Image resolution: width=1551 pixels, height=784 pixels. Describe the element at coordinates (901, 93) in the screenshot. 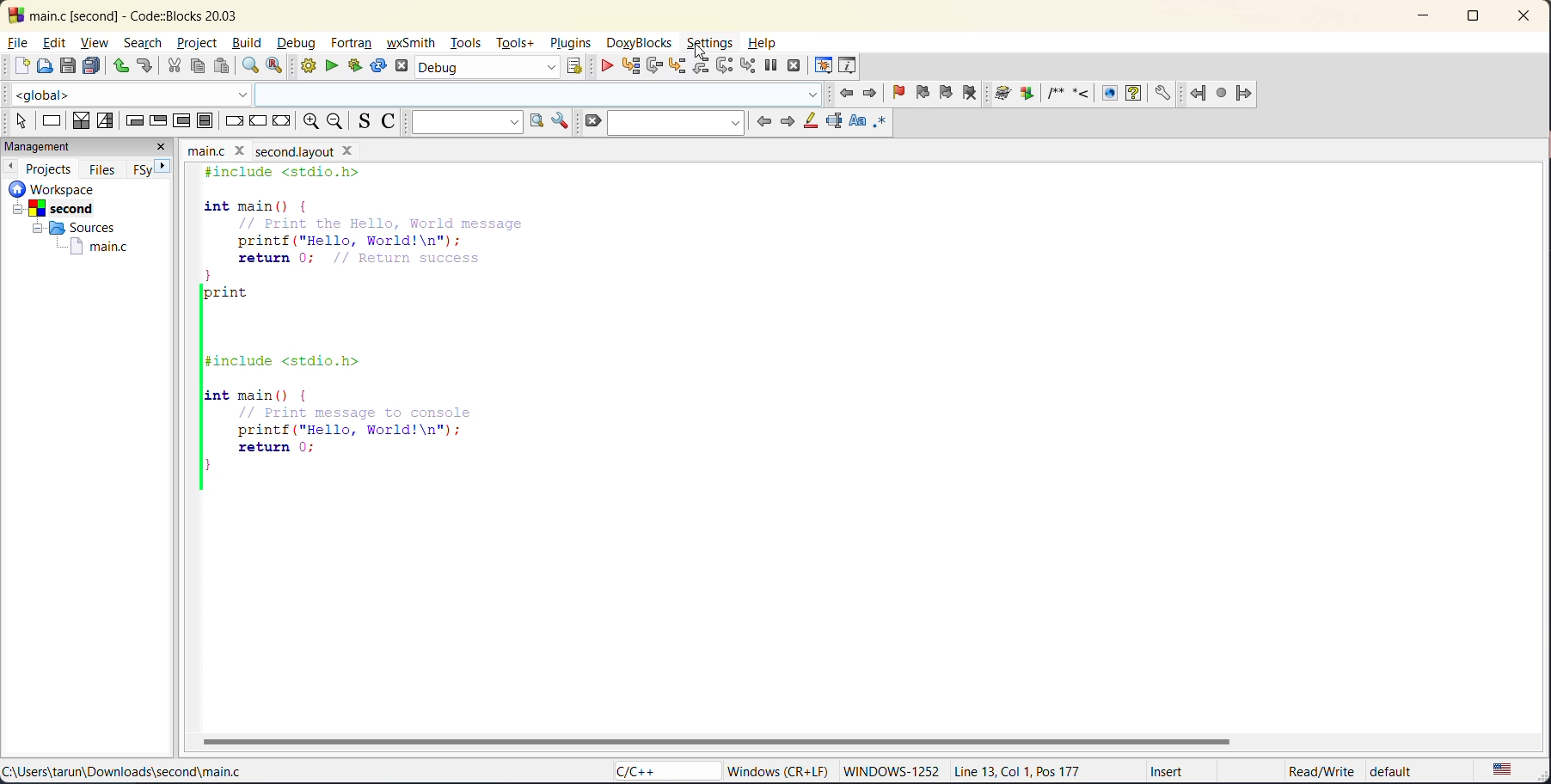

I see `toggle bookmark` at that location.